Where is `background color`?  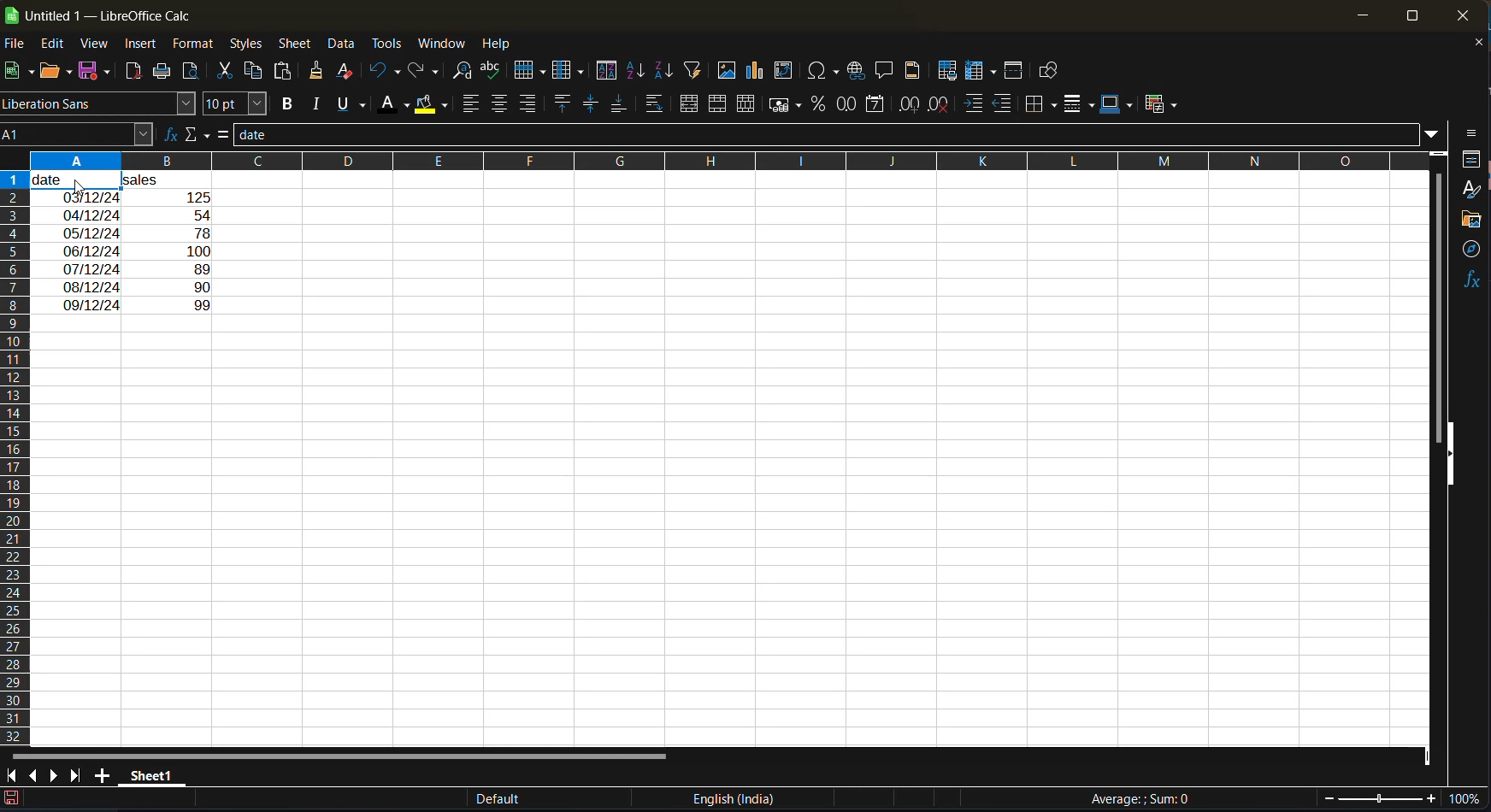 background color is located at coordinates (432, 106).